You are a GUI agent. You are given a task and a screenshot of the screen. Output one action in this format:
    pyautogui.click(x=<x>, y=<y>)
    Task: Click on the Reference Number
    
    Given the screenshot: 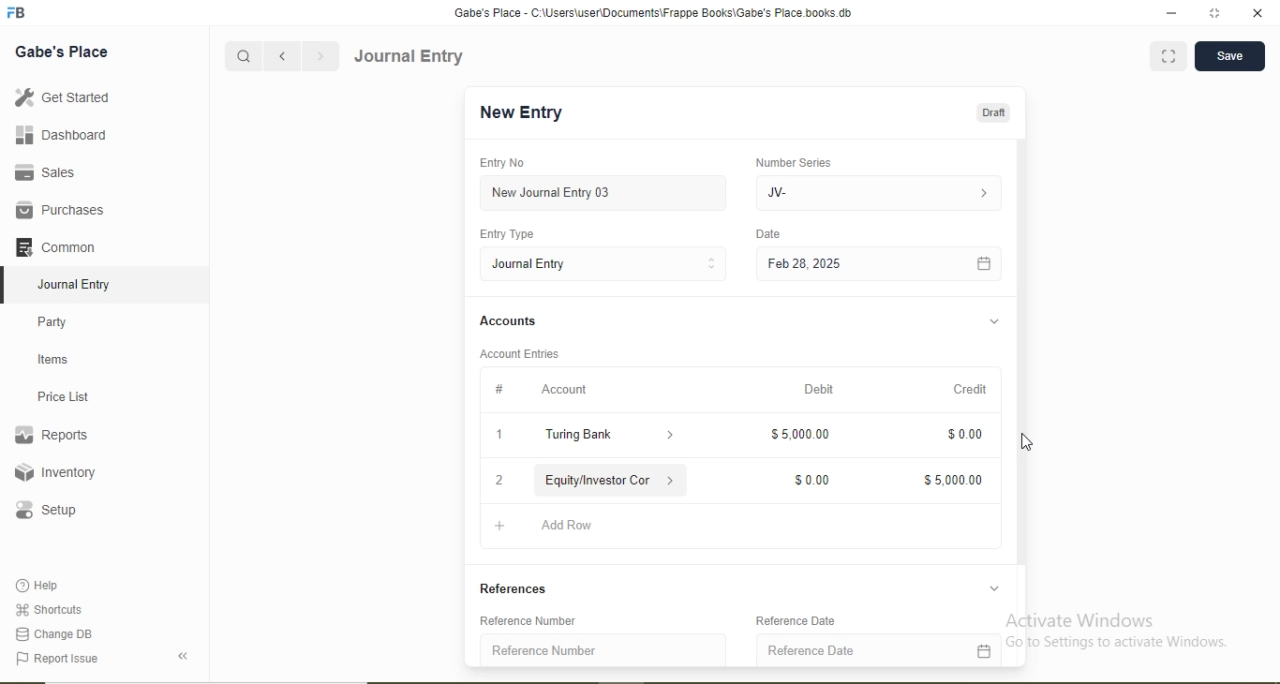 What is the action you would take?
    pyautogui.click(x=529, y=620)
    